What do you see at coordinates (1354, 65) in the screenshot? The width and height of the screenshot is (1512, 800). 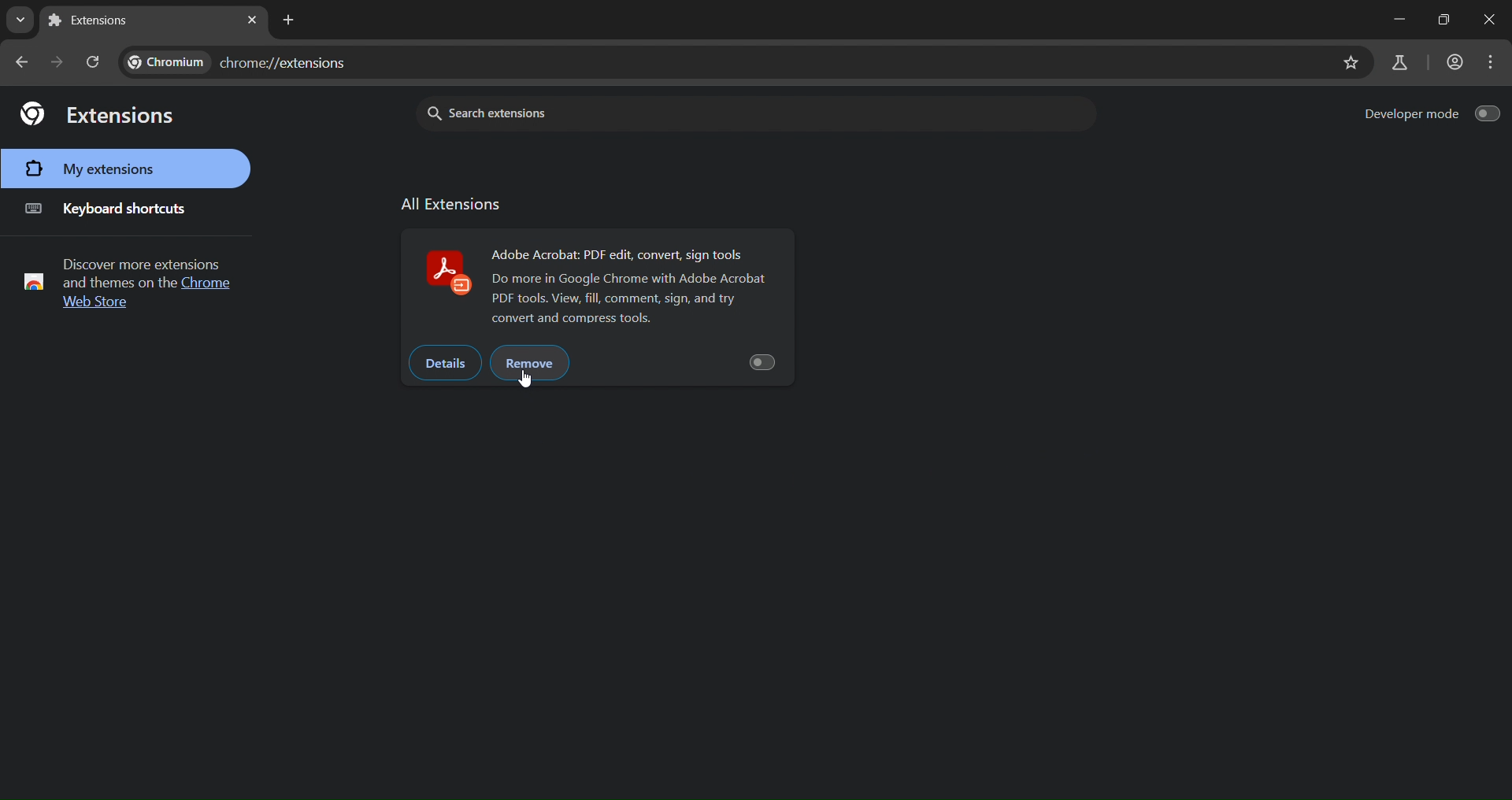 I see `bookmark page` at bounding box center [1354, 65].